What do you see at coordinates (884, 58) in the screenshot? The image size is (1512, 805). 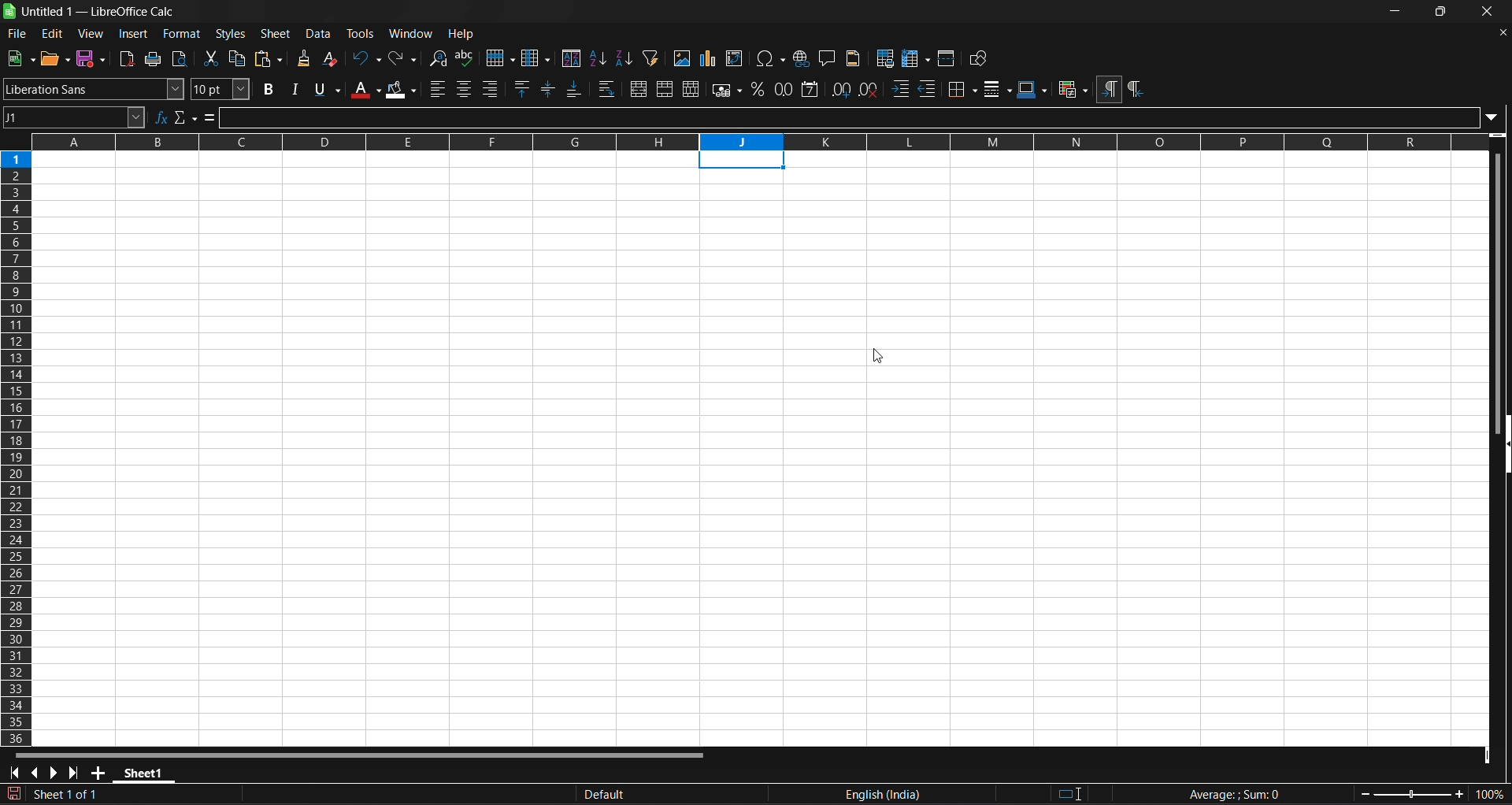 I see `define print area` at bounding box center [884, 58].